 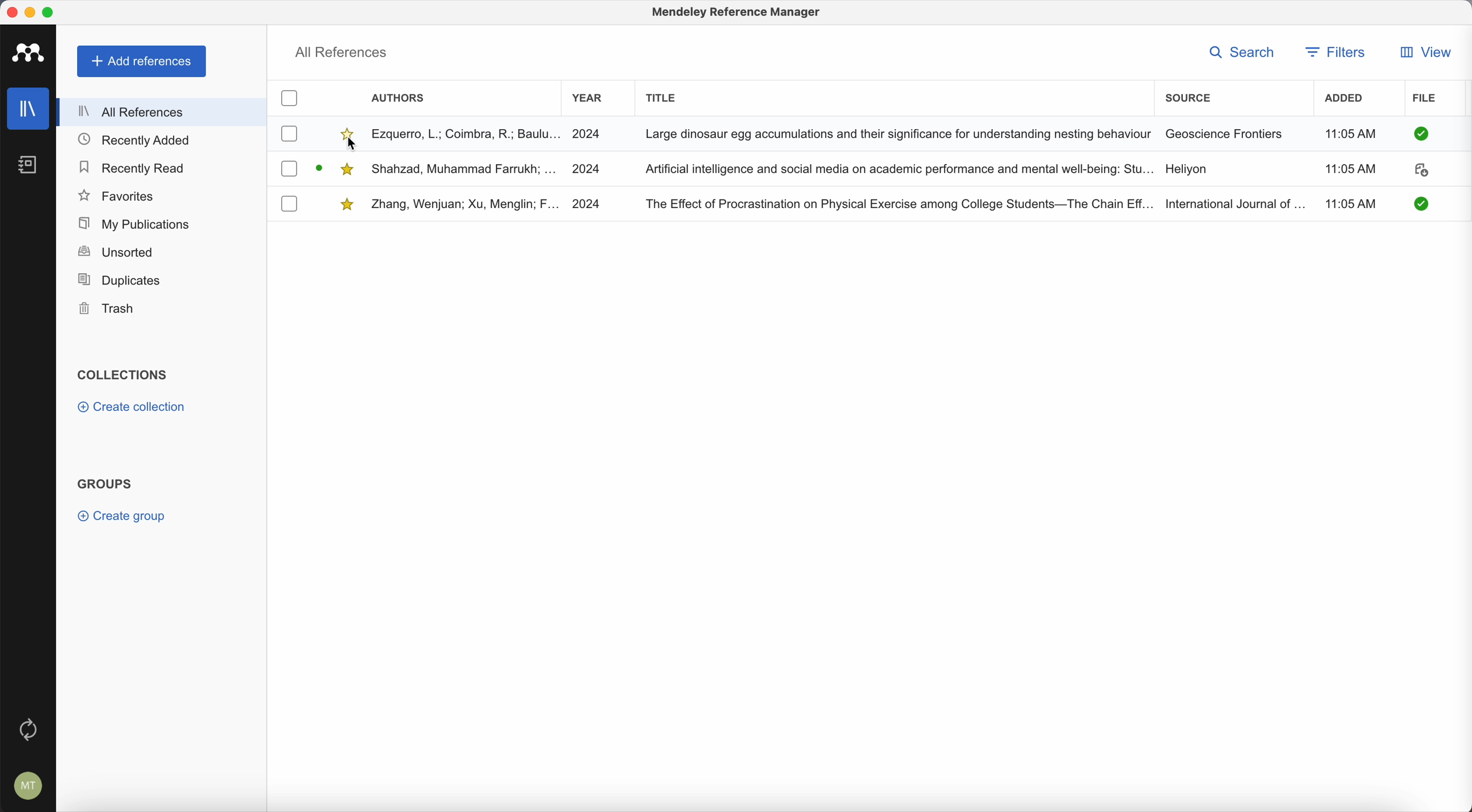 What do you see at coordinates (30, 110) in the screenshot?
I see `library` at bounding box center [30, 110].